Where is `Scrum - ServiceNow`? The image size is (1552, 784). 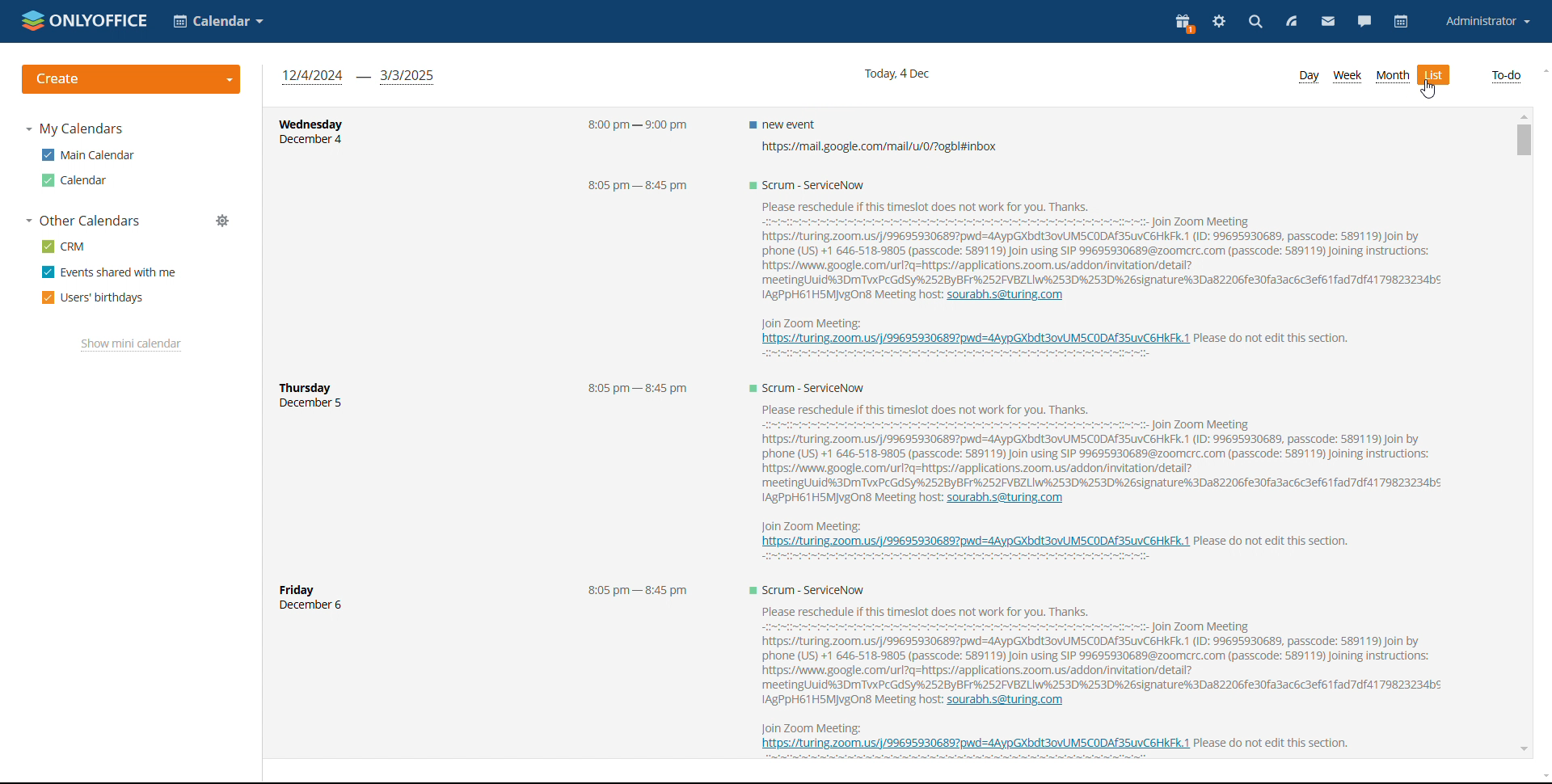
Scrum - ServiceNow is located at coordinates (805, 185).